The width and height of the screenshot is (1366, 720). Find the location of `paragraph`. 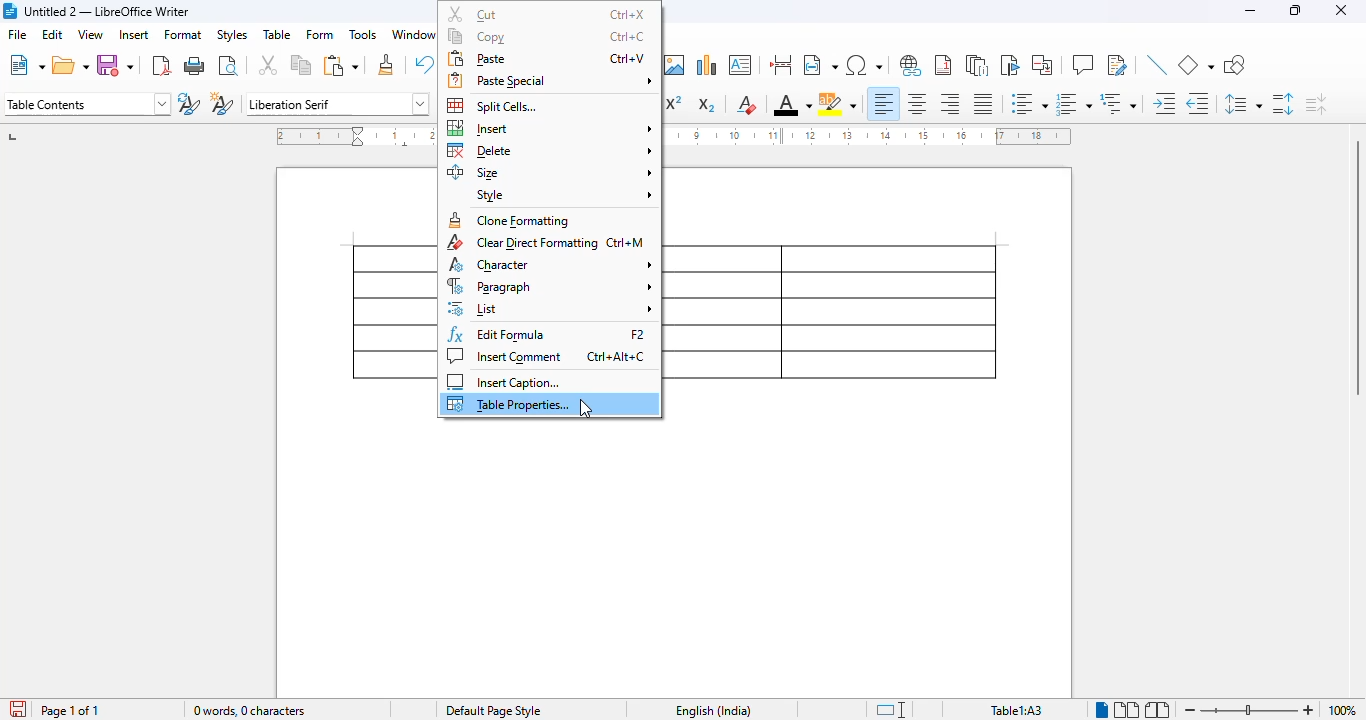

paragraph is located at coordinates (550, 286).